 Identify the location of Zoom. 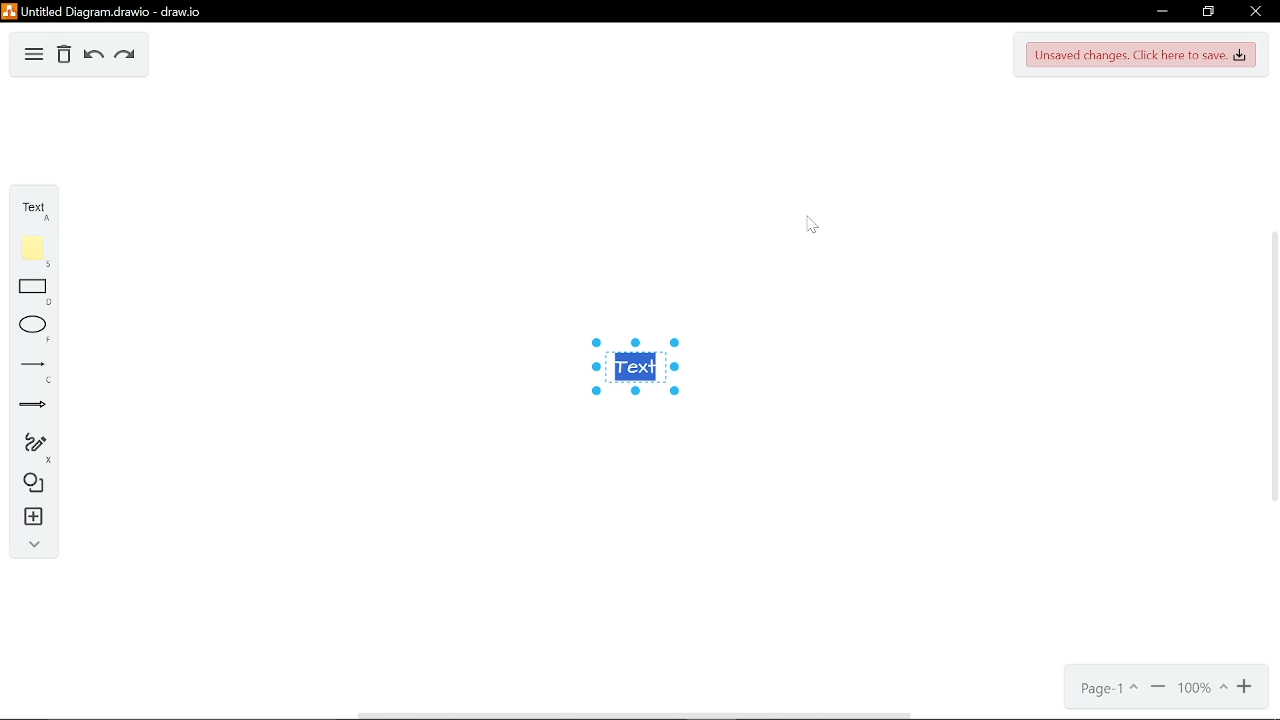
(1202, 689).